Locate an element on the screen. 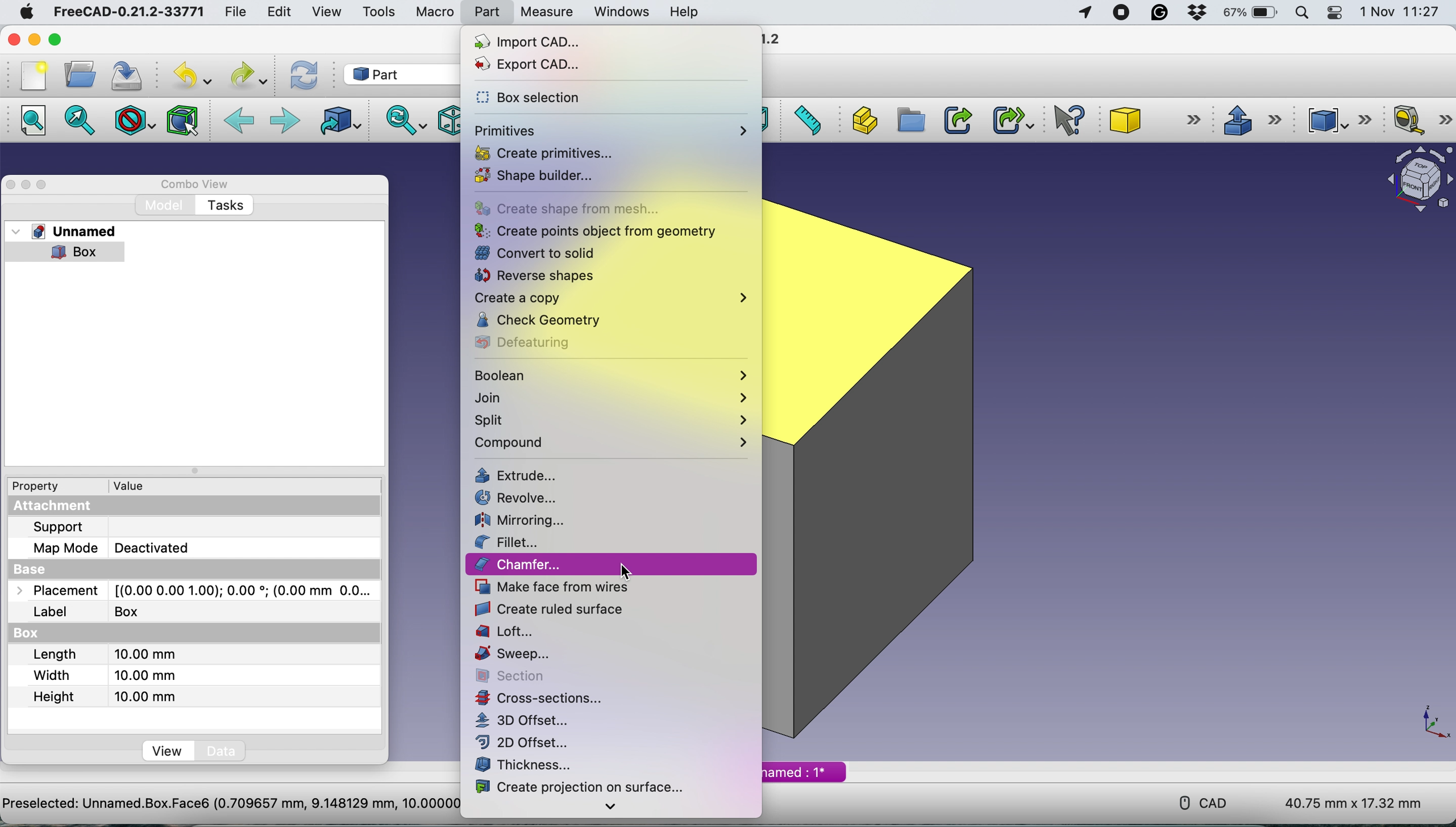 The height and width of the screenshot is (827, 1456). boolean is located at coordinates (610, 375).